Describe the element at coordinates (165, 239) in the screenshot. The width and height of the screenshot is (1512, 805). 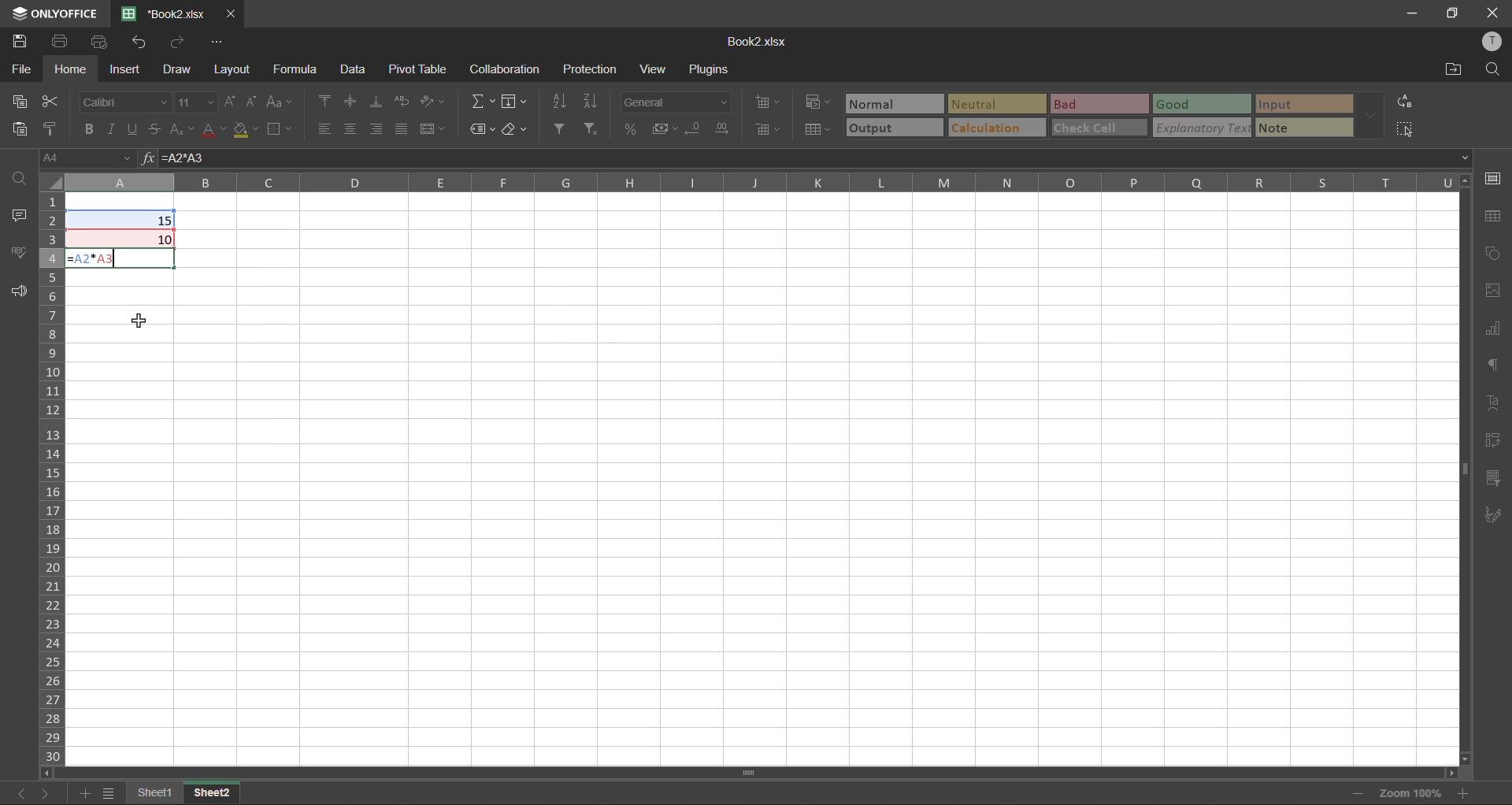
I see `10` at that location.